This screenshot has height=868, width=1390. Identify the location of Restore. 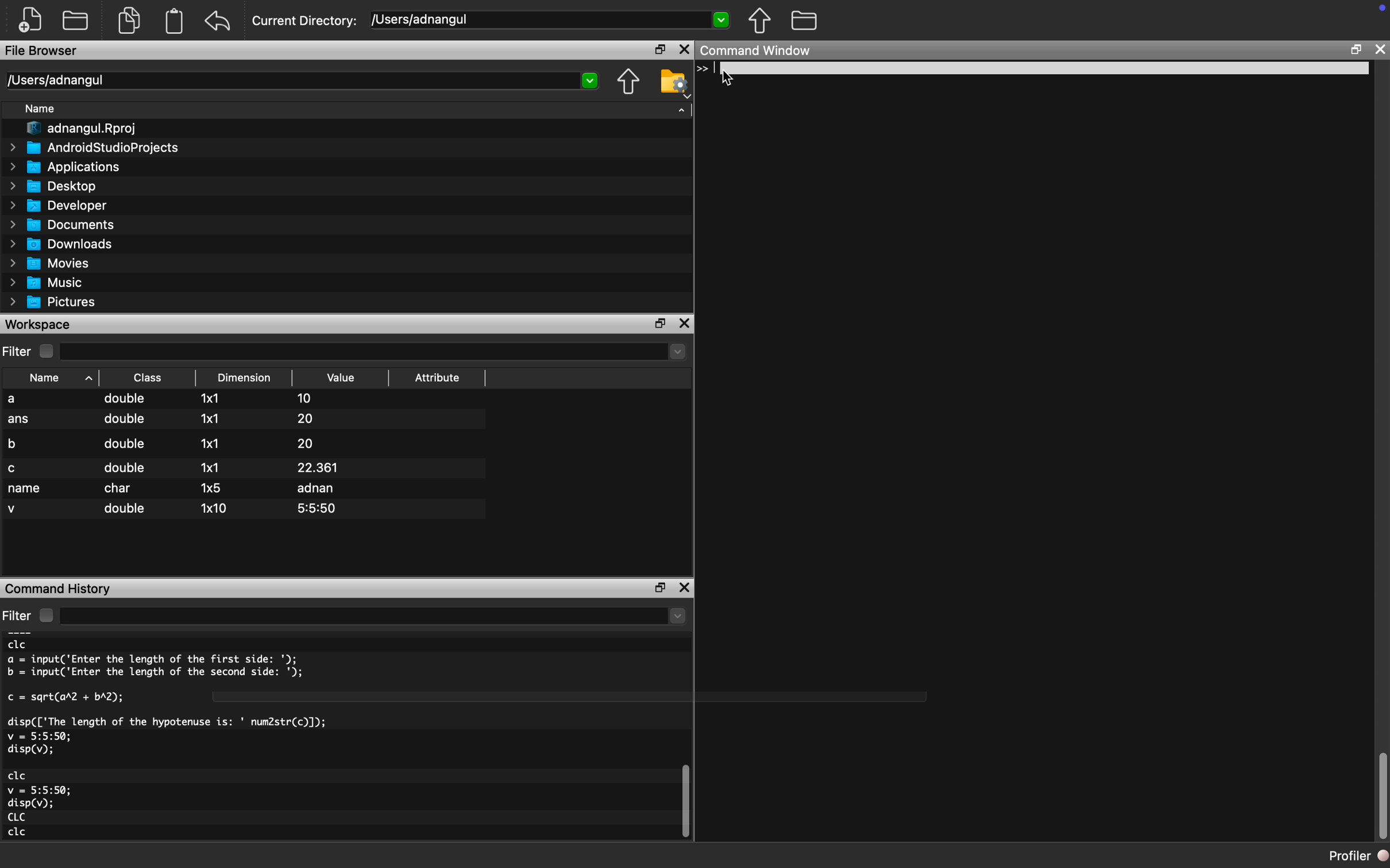
(658, 49).